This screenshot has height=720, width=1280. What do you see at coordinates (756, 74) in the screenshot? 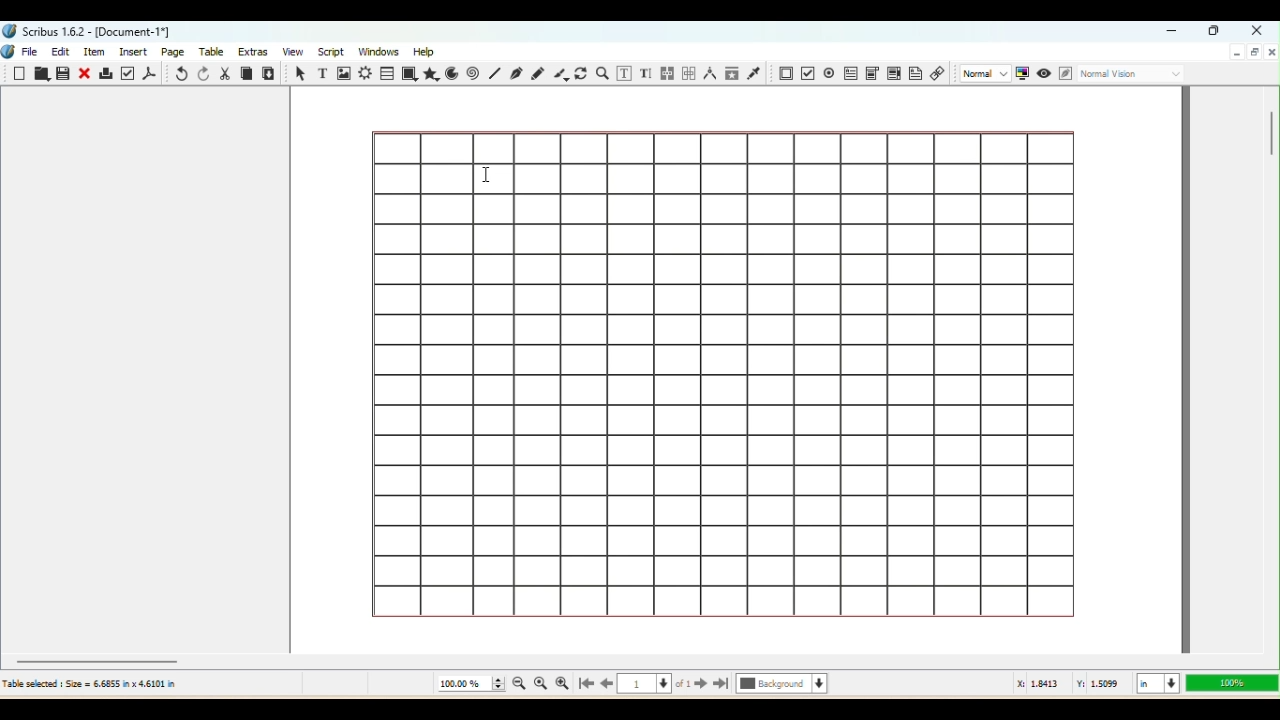
I see `Eye dropper` at bounding box center [756, 74].